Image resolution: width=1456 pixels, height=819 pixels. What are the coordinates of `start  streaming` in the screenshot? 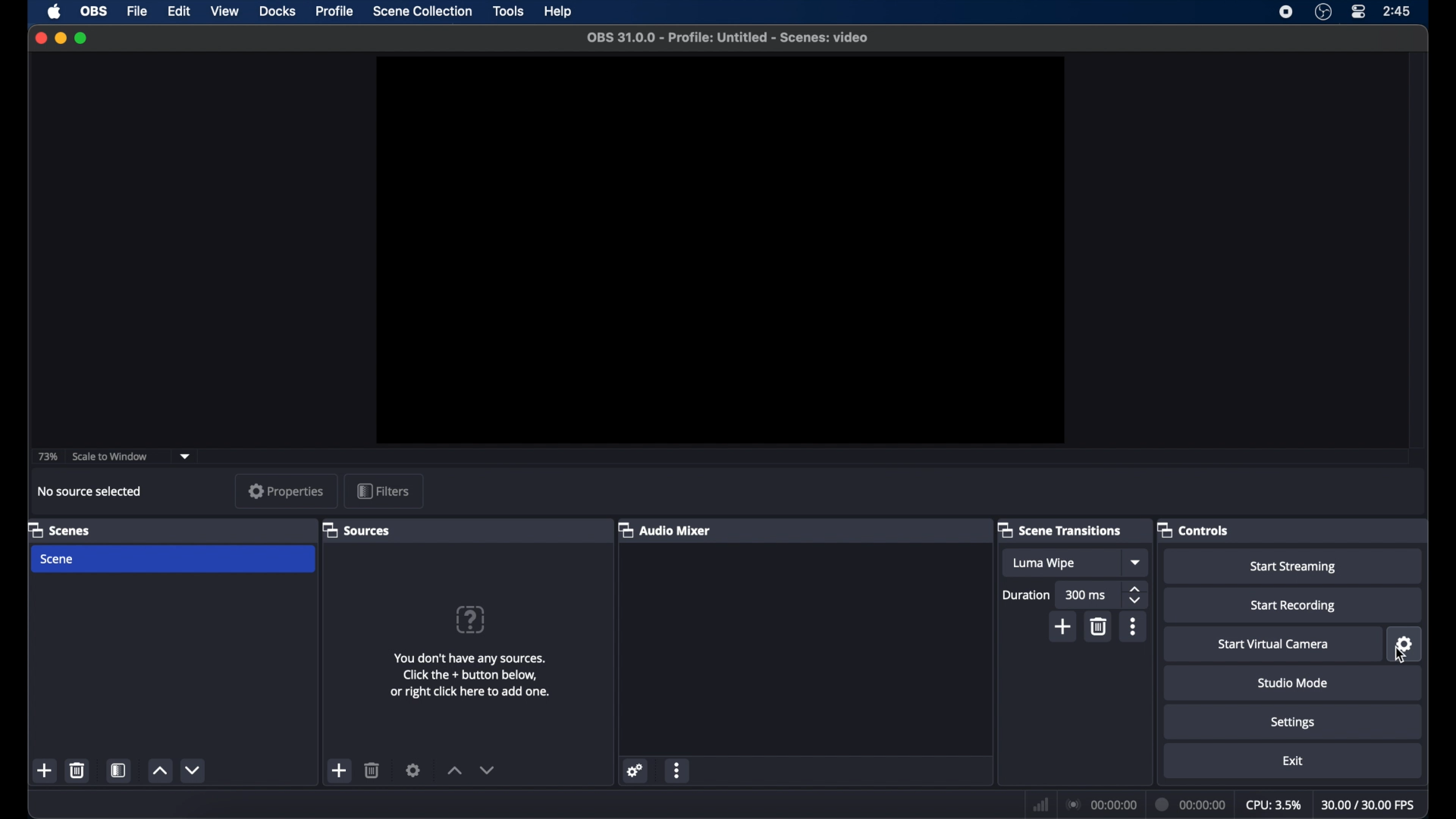 It's located at (1294, 567).